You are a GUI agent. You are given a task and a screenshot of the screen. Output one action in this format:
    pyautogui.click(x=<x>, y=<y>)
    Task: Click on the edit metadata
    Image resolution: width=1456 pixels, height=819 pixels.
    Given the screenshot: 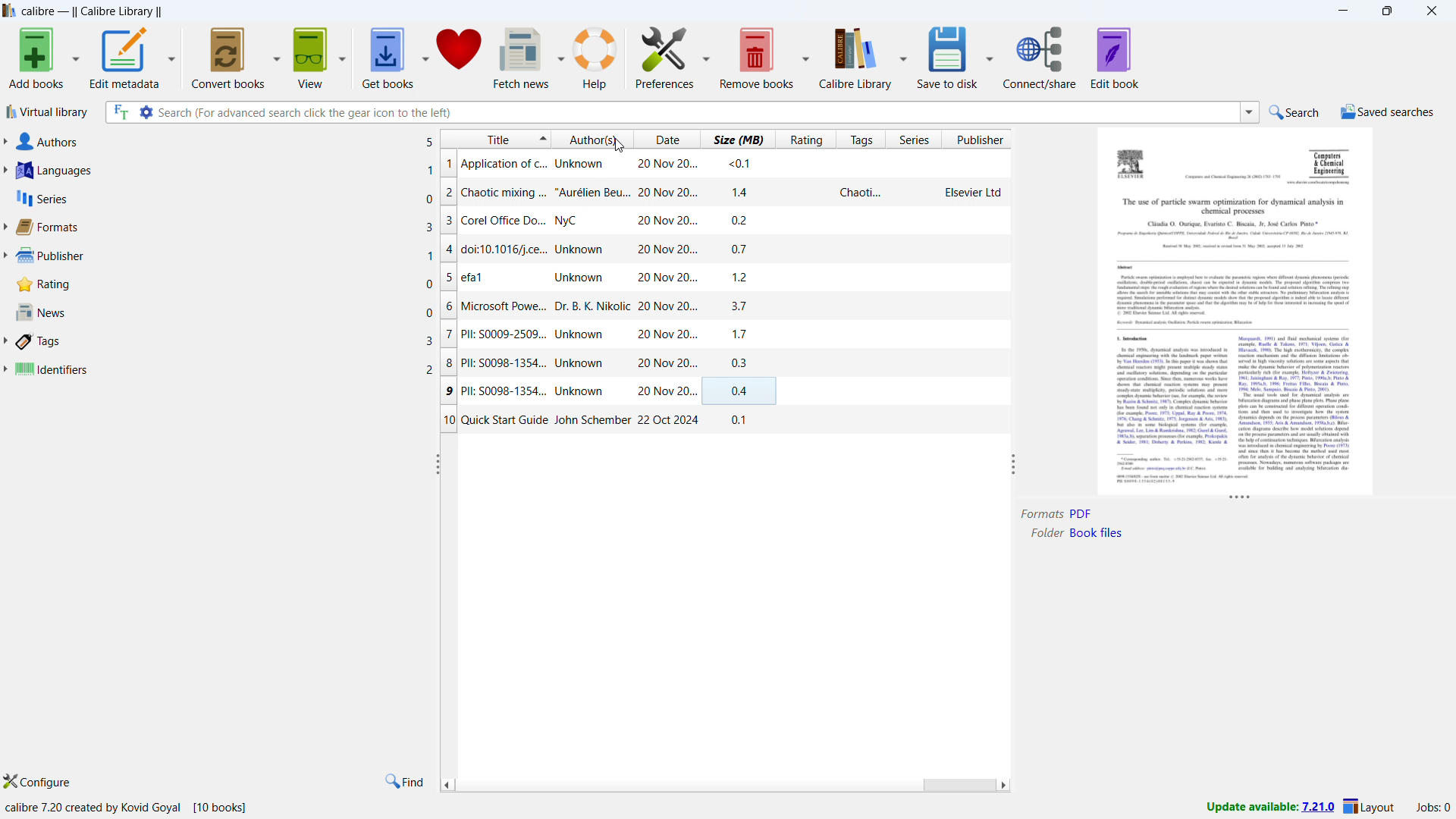 What is the action you would take?
    pyautogui.click(x=124, y=58)
    